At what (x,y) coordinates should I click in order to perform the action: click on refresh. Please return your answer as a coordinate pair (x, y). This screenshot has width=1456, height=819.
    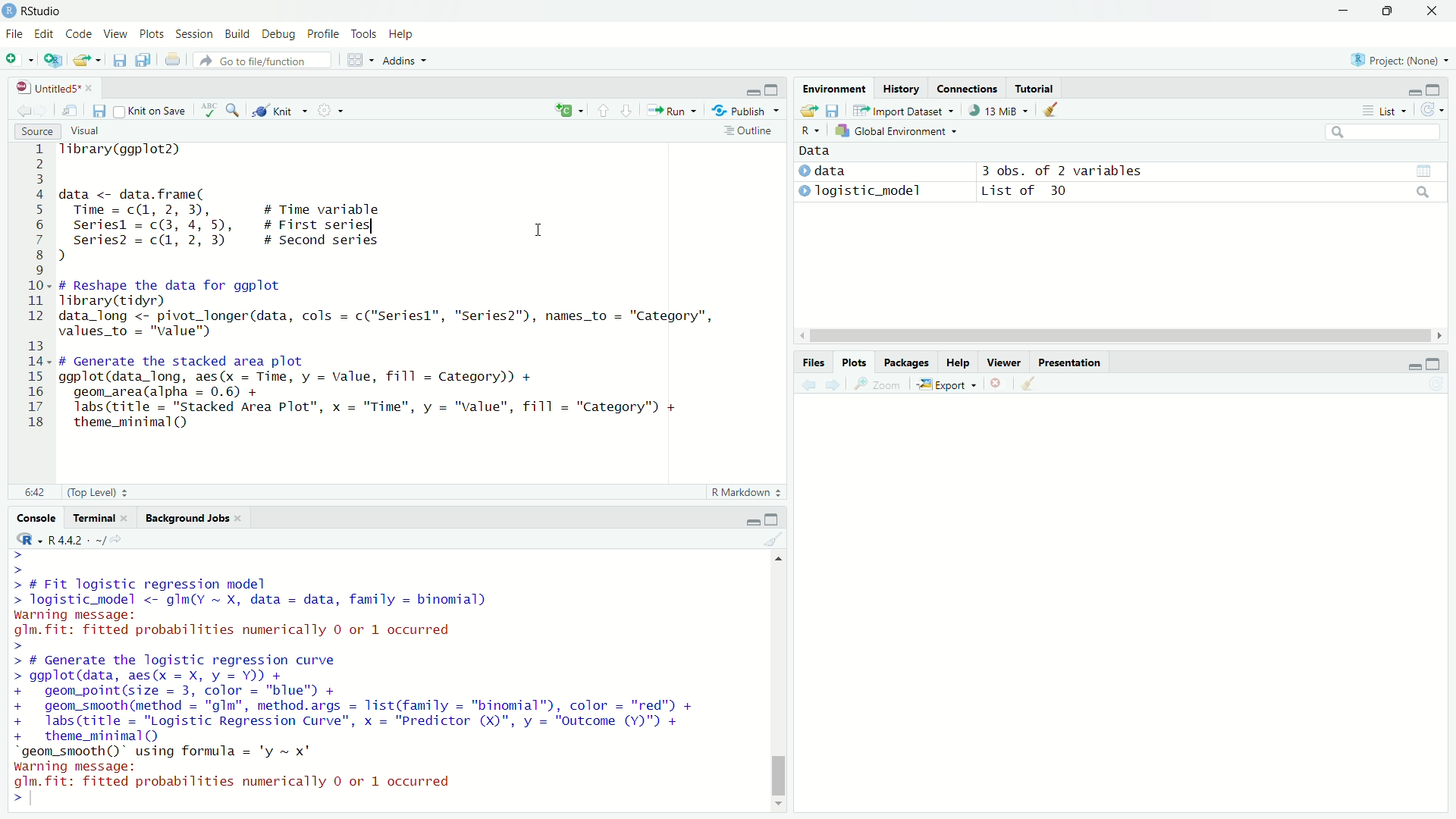
    Looking at the image, I should click on (1430, 111).